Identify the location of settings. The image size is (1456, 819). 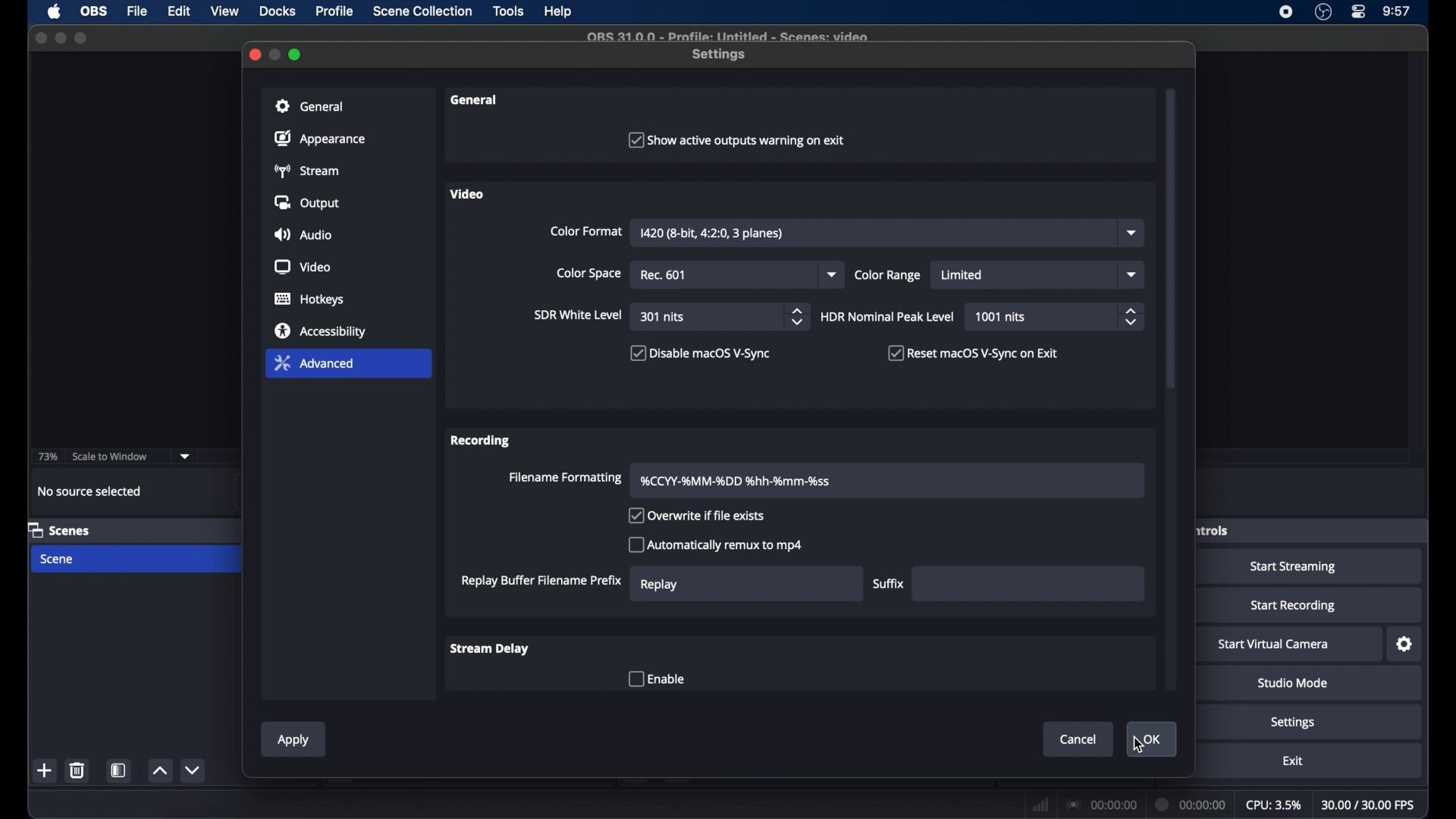
(720, 55).